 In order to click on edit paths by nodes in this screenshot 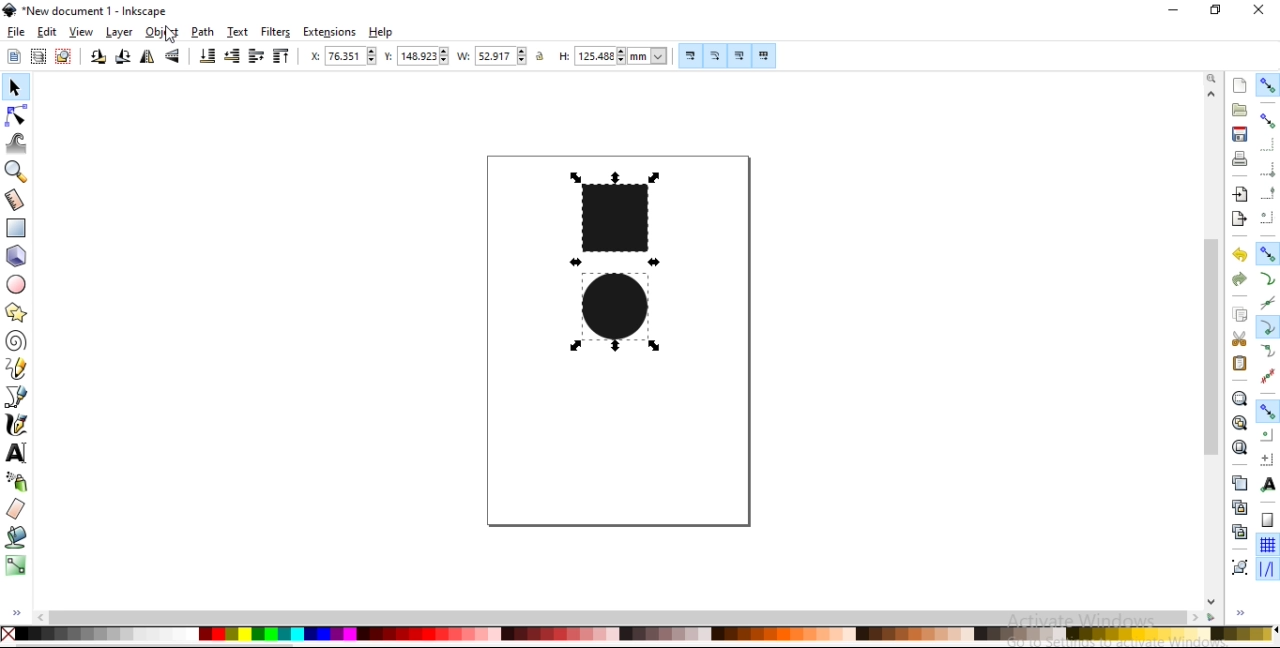, I will do `click(19, 116)`.